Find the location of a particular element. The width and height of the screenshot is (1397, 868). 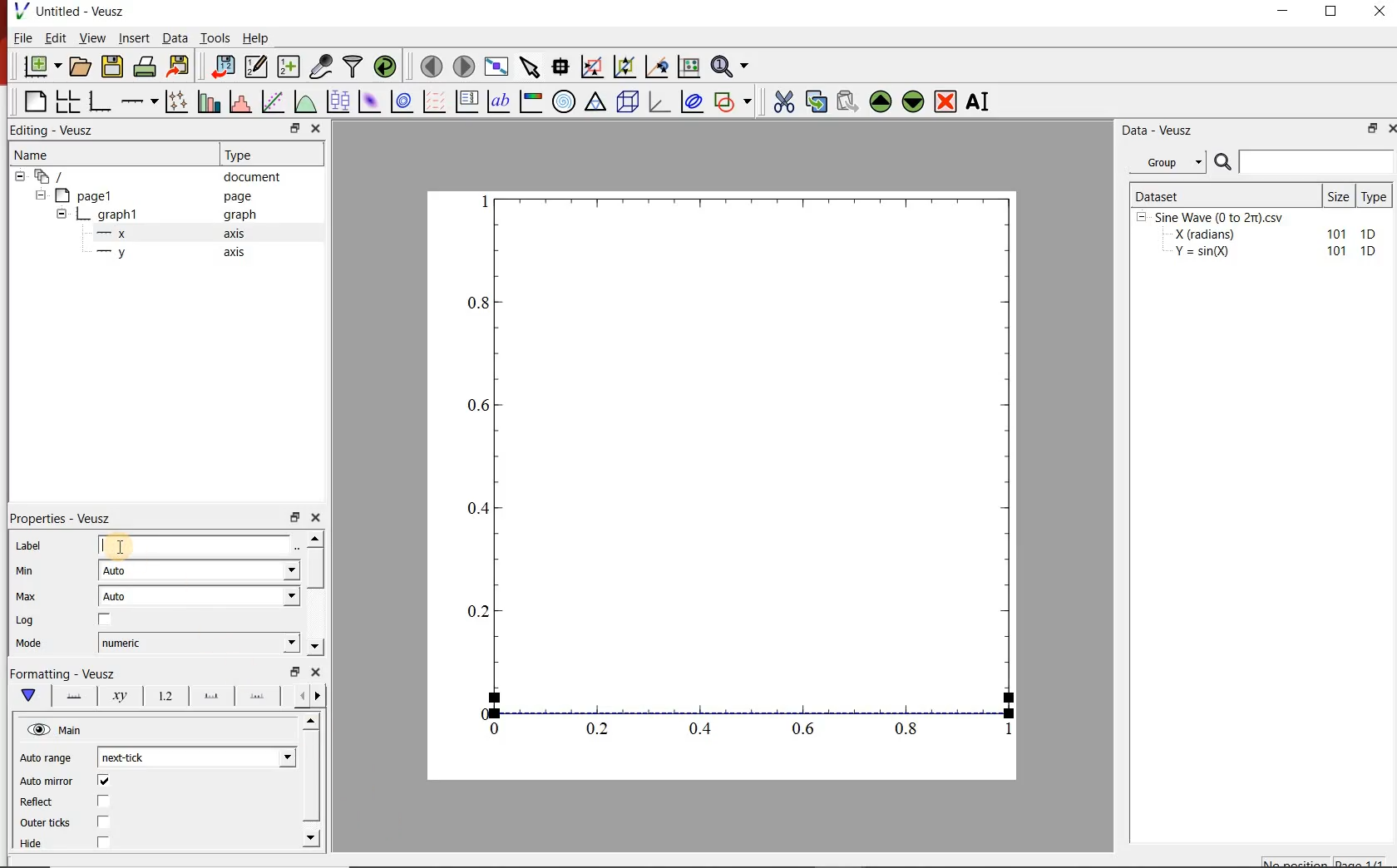

Horizontal scrollbar is located at coordinates (313, 778).